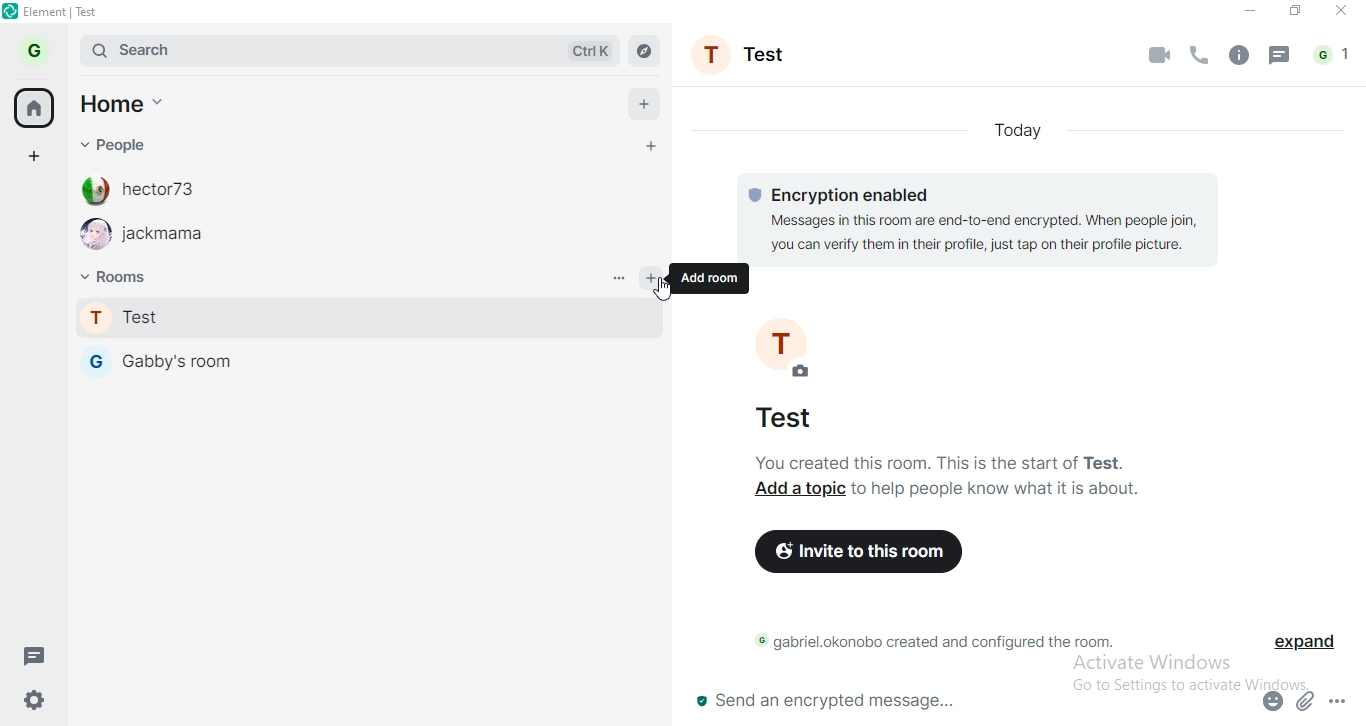 The height and width of the screenshot is (726, 1366). I want to click on message, so click(1280, 55).